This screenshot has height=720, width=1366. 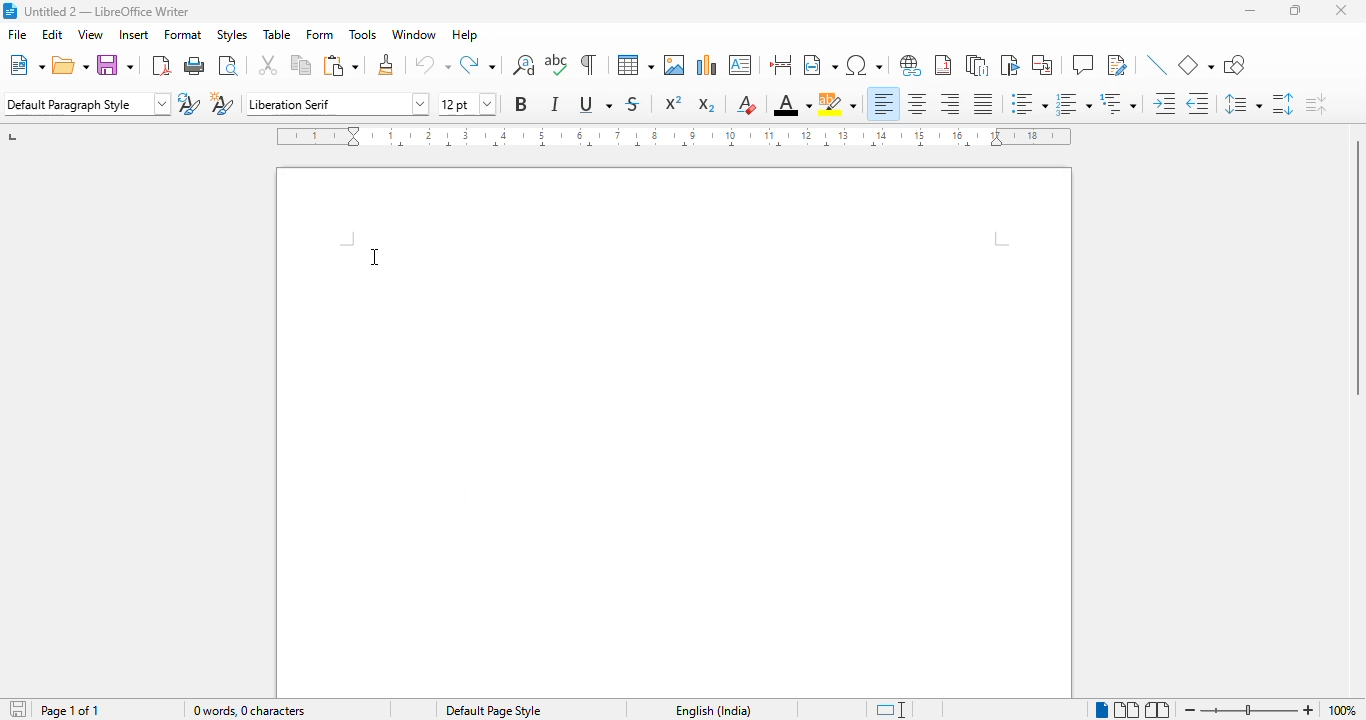 What do you see at coordinates (301, 65) in the screenshot?
I see `copy` at bounding box center [301, 65].